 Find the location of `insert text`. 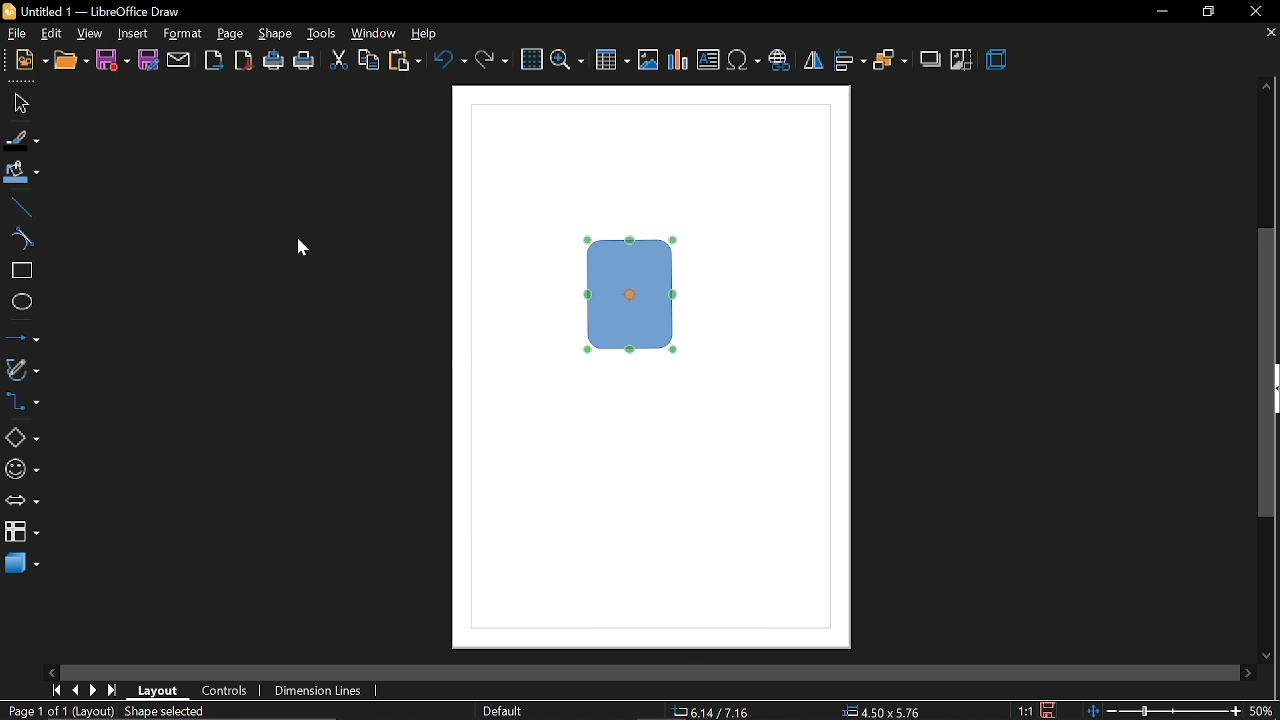

insert text is located at coordinates (710, 61).